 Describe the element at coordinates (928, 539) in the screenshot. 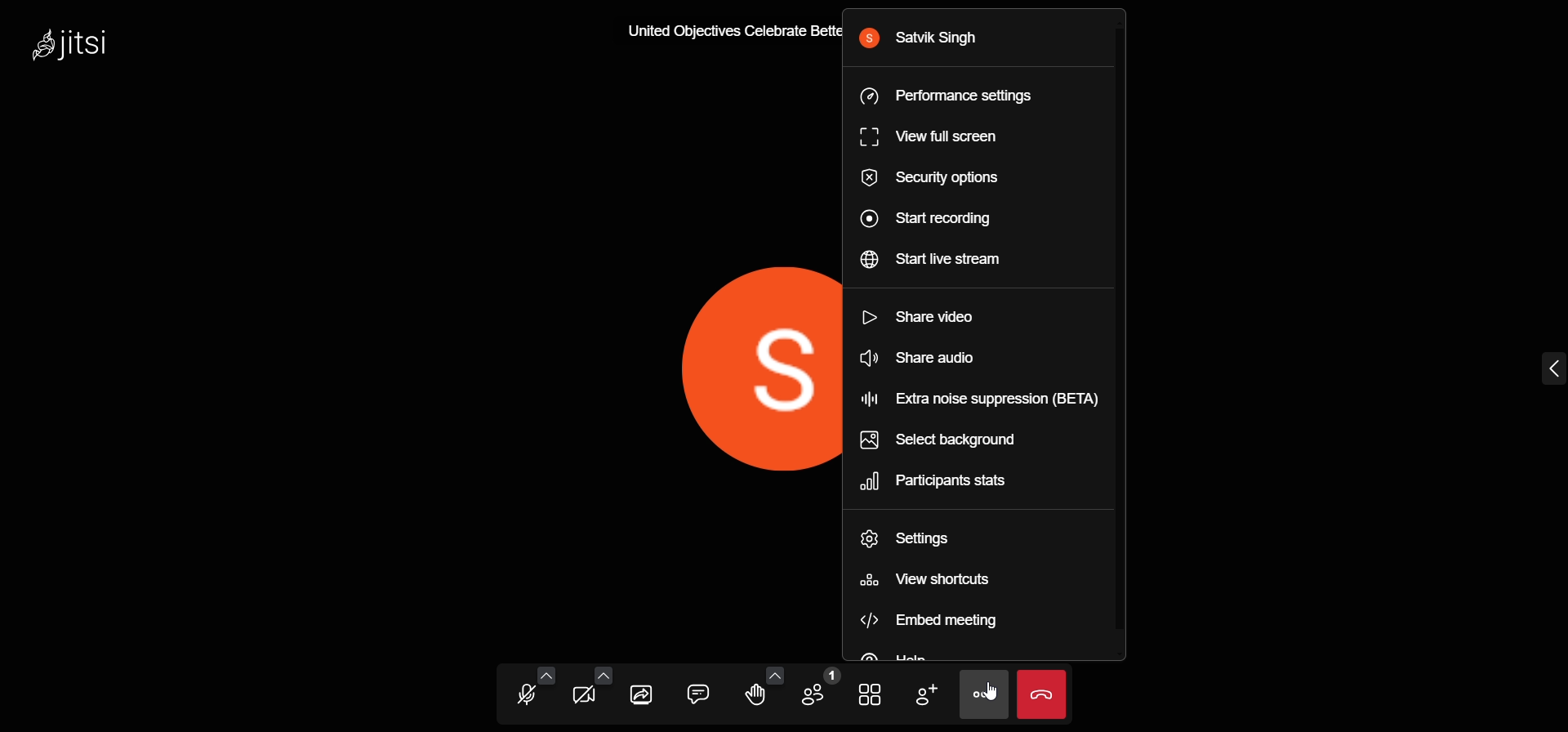

I see `setting` at that location.